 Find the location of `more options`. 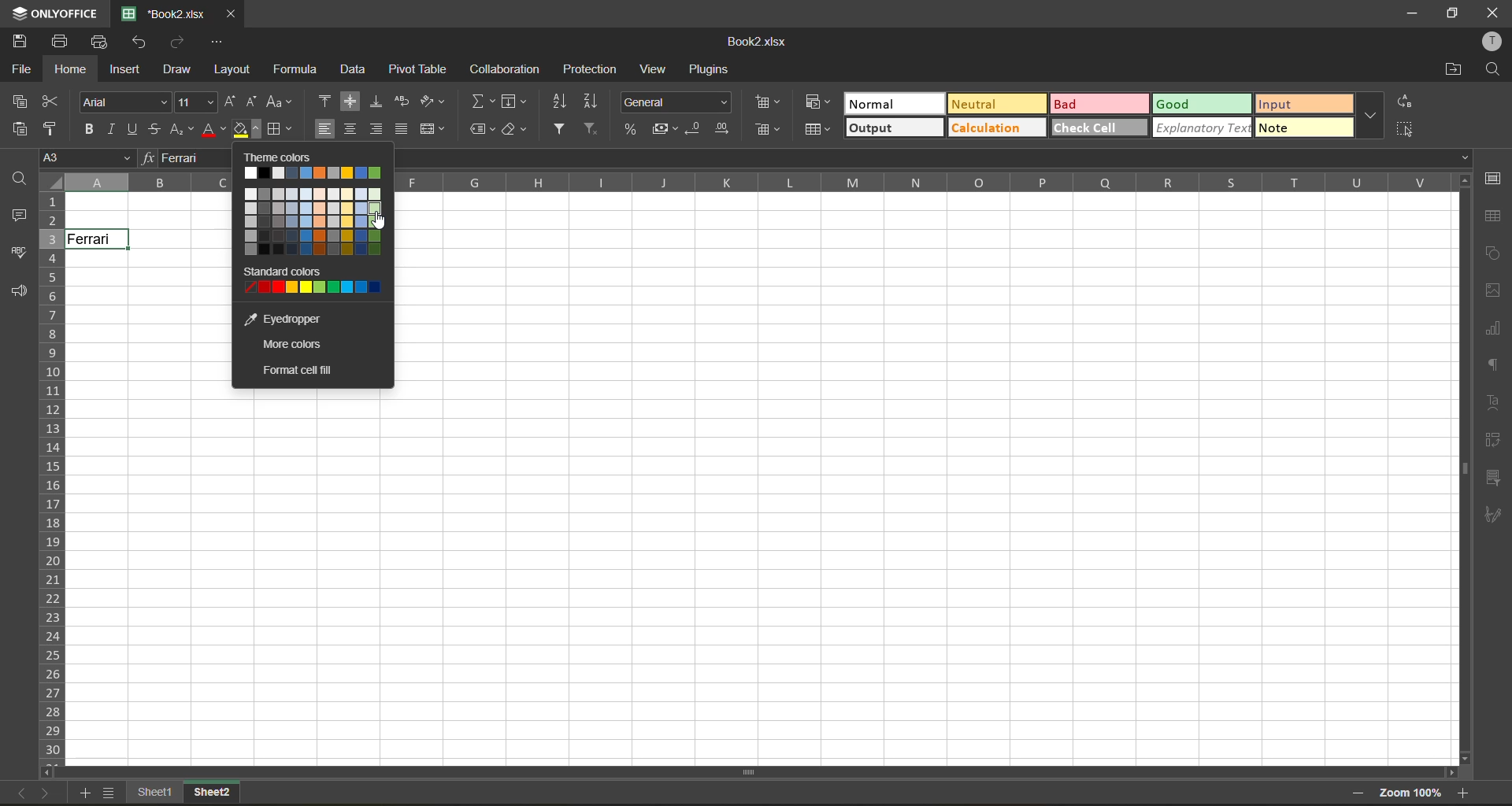

more options is located at coordinates (1370, 116).